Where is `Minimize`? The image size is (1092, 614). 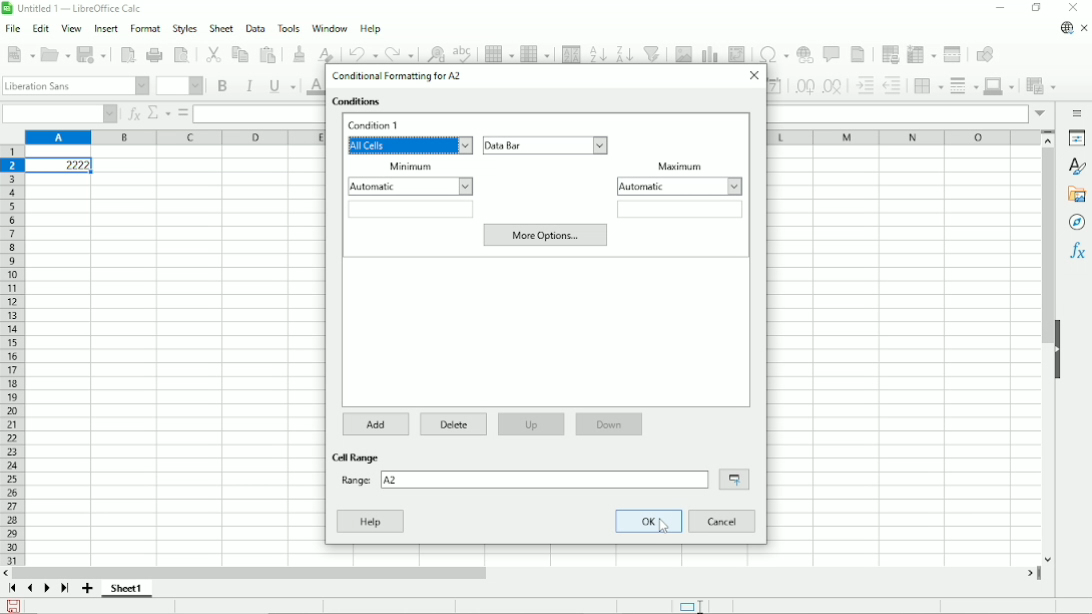 Minimize is located at coordinates (999, 7).